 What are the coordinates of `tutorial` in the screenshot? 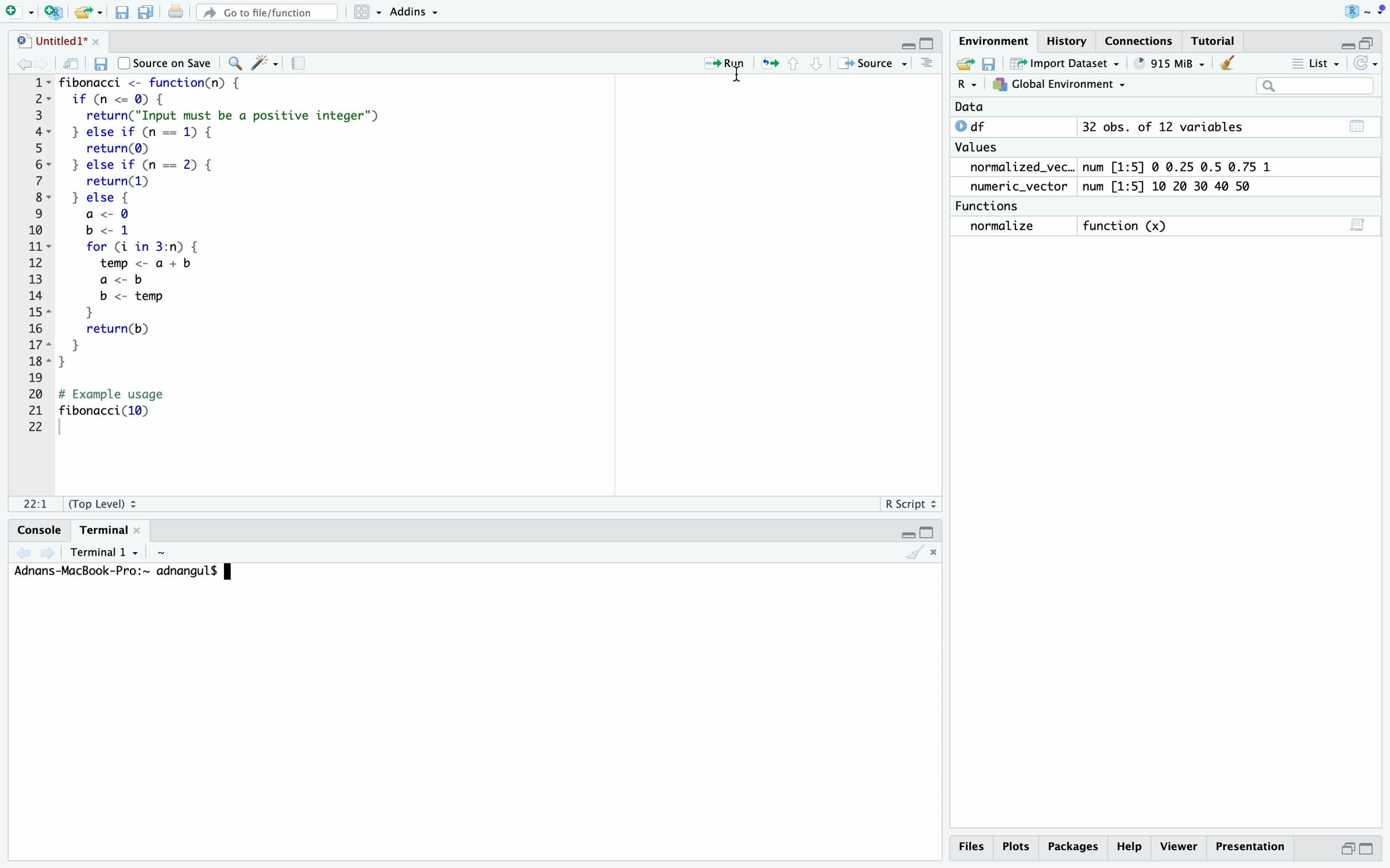 It's located at (1218, 38).